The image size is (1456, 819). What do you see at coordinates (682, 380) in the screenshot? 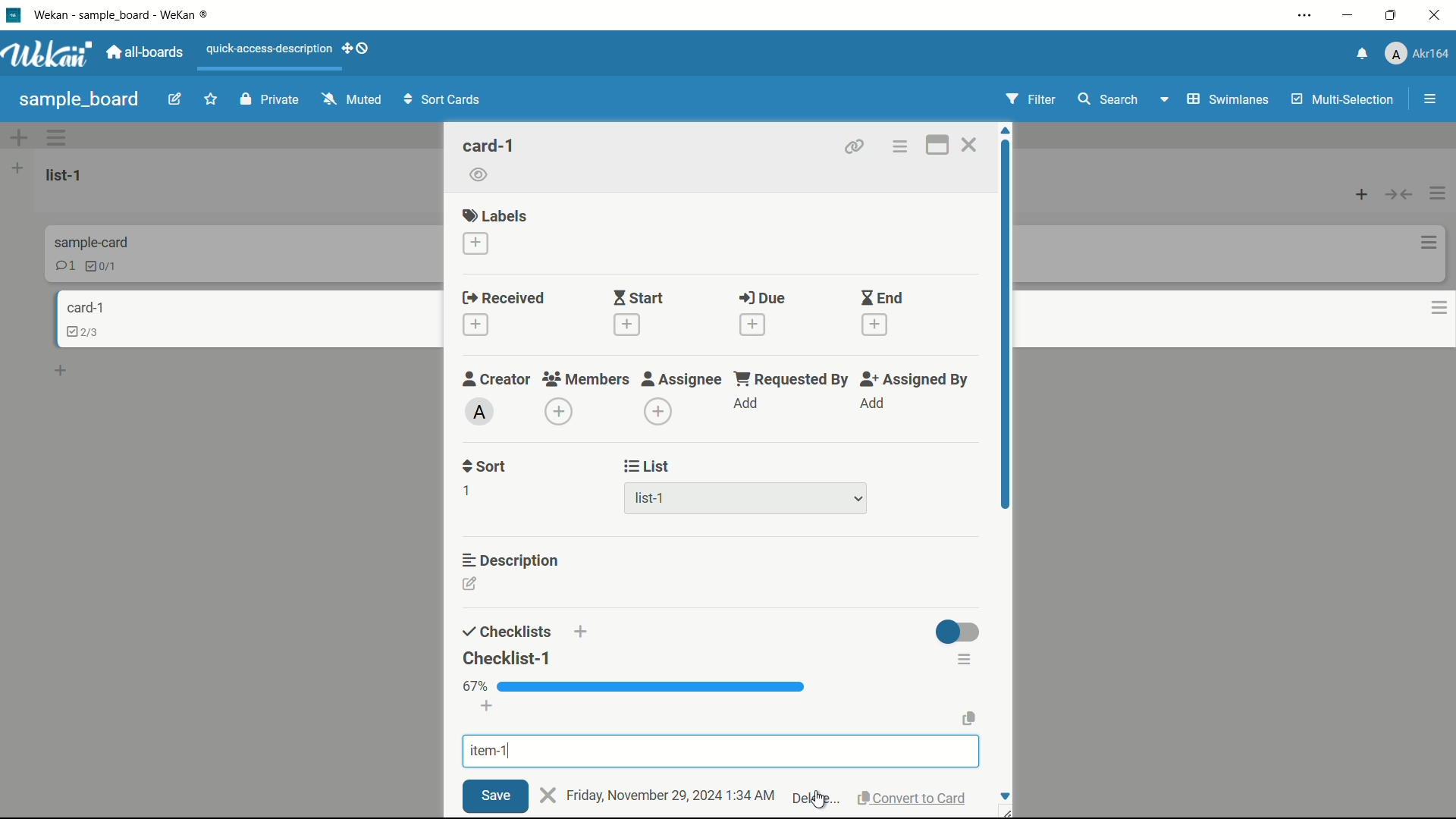
I see `assignee` at bounding box center [682, 380].